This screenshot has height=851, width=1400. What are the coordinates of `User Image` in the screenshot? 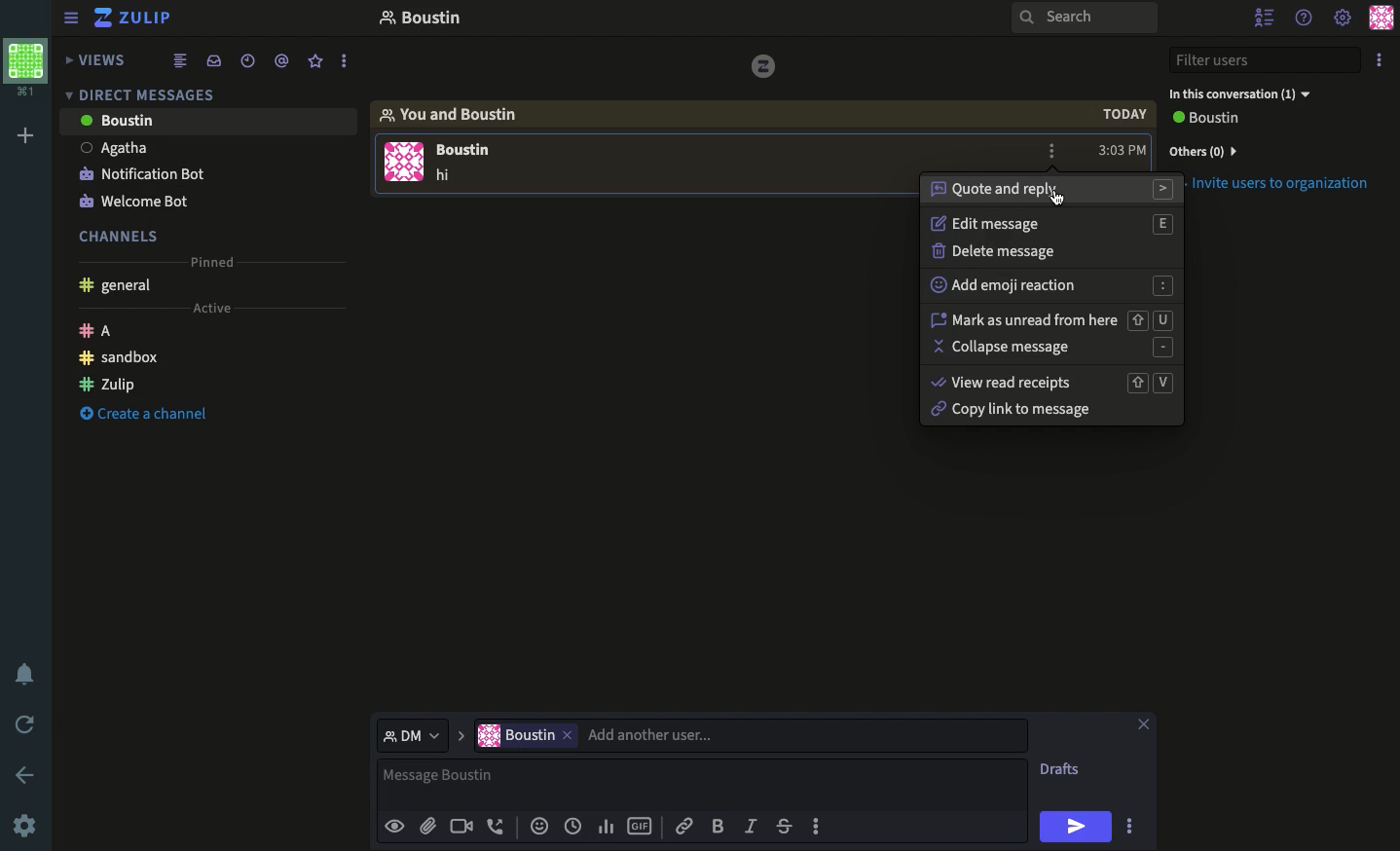 It's located at (404, 166).